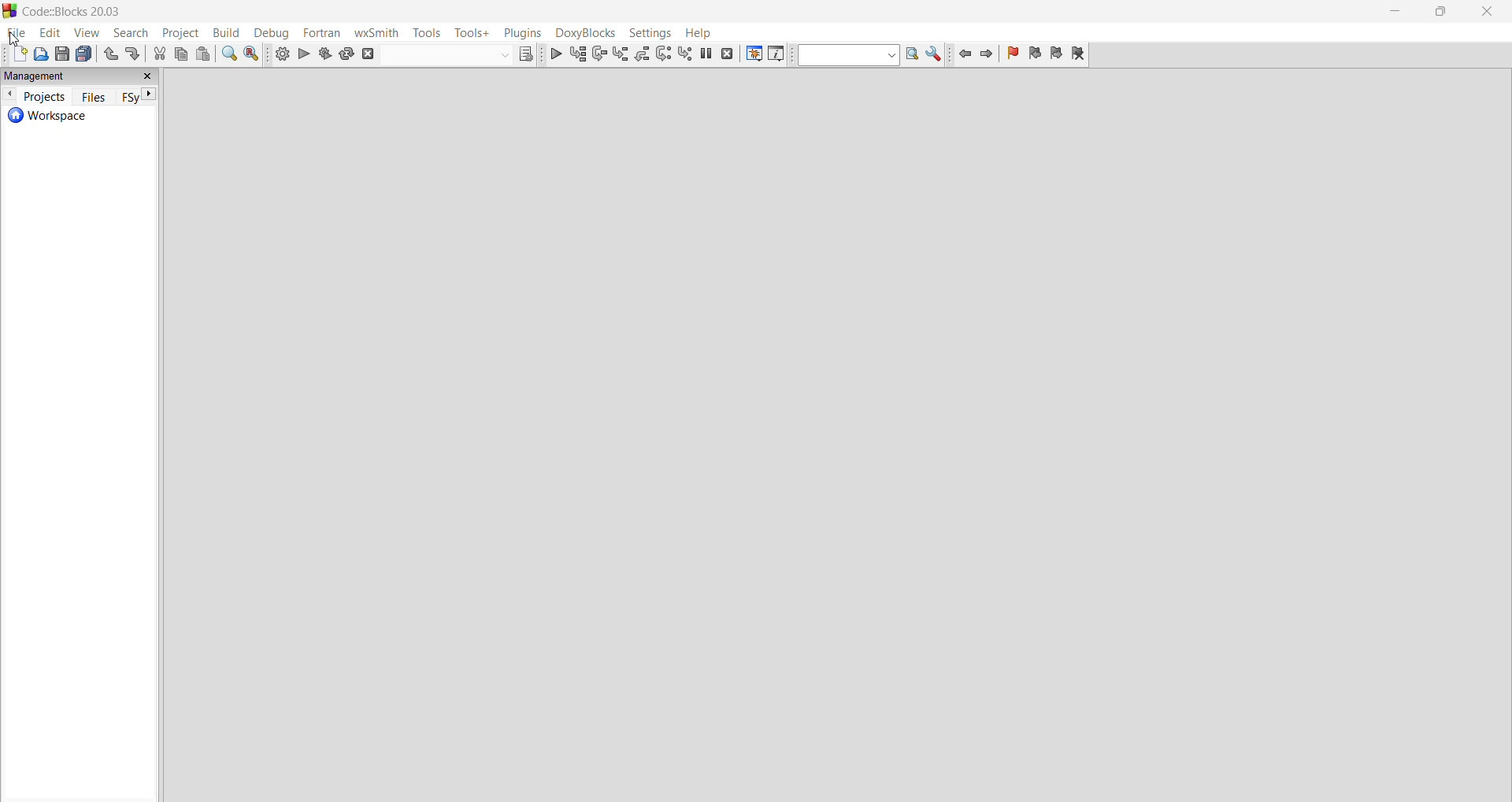 This screenshot has height=802, width=1512. What do you see at coordinates (1035, 54) in the screenshot?
I see `previous bookmark` at bounding box center [1035, 54].